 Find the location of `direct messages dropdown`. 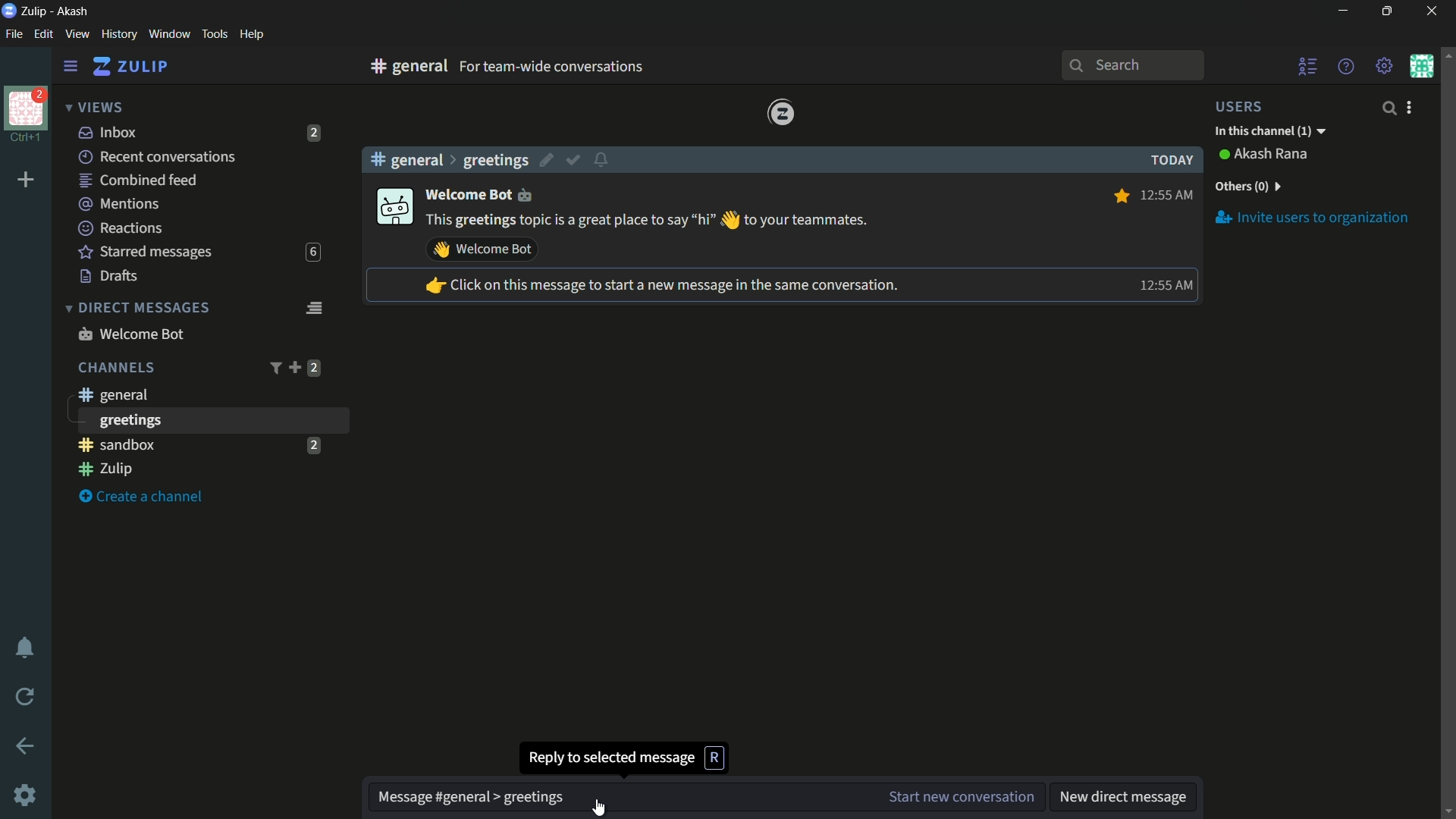

direct messages dropdown is located at coordinates (136, 309).